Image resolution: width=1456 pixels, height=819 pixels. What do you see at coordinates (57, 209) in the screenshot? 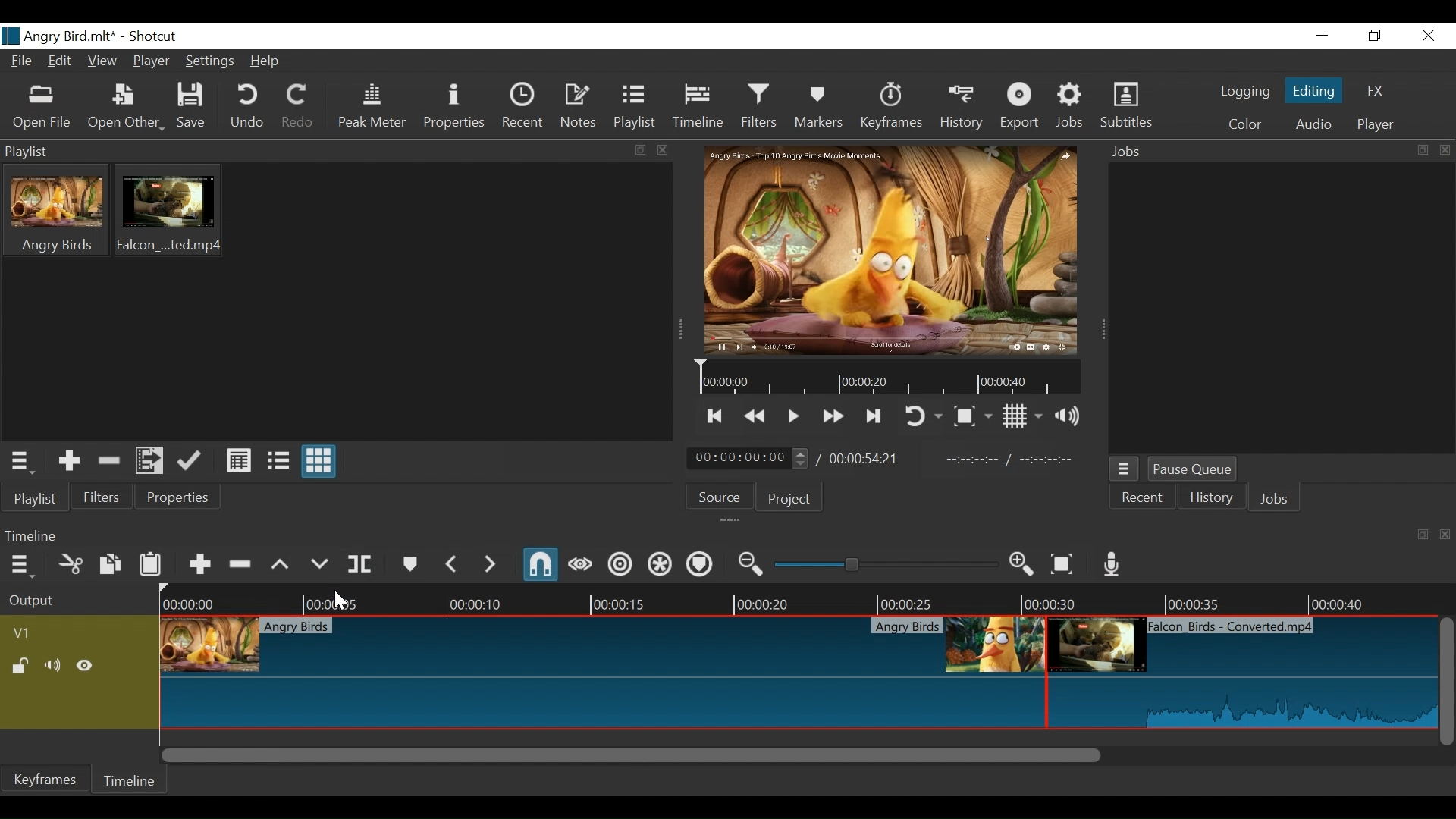
I see `Clip` at bounding box center [57, 209].